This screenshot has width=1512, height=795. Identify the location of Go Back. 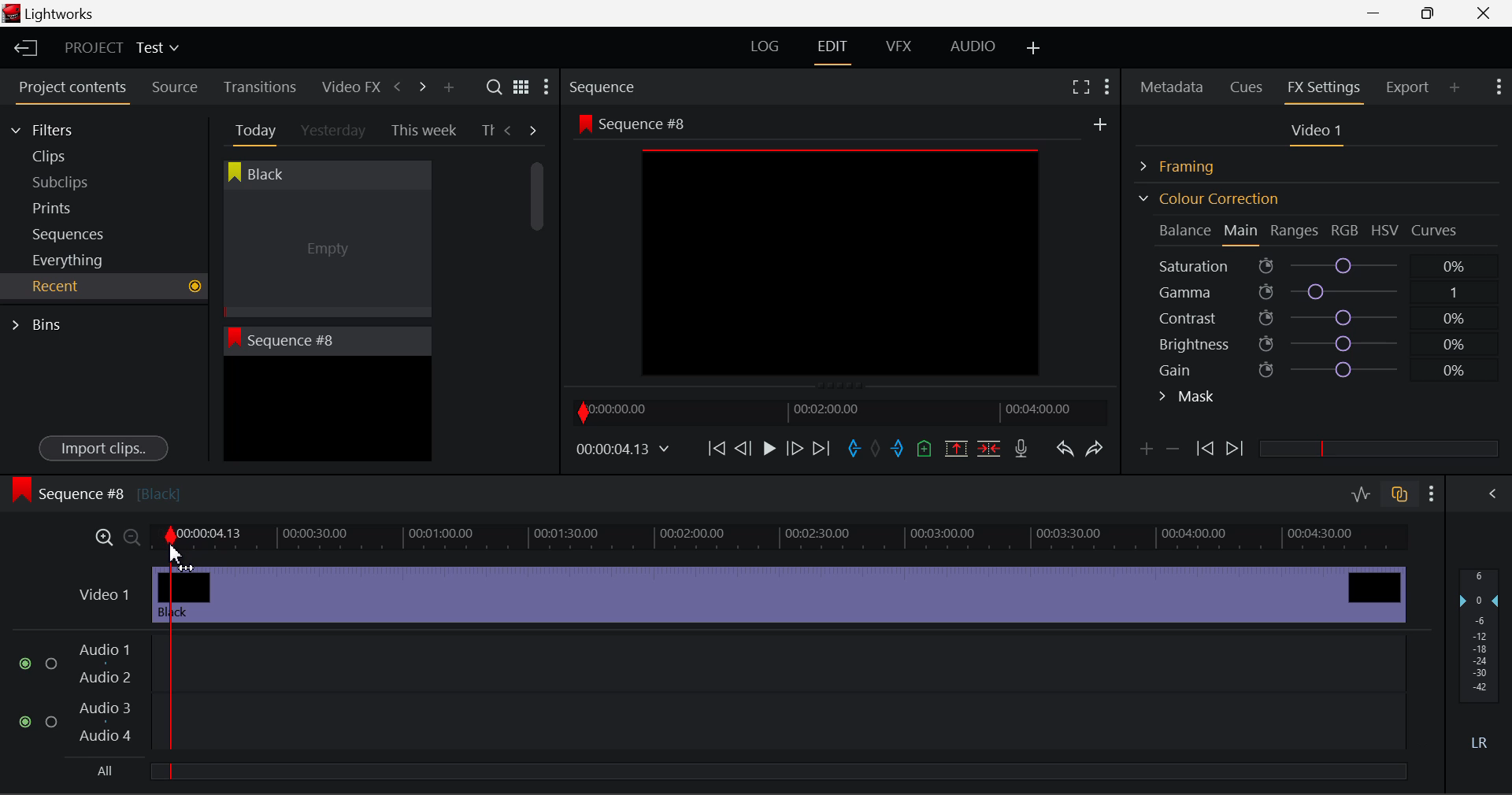
(745, 447).